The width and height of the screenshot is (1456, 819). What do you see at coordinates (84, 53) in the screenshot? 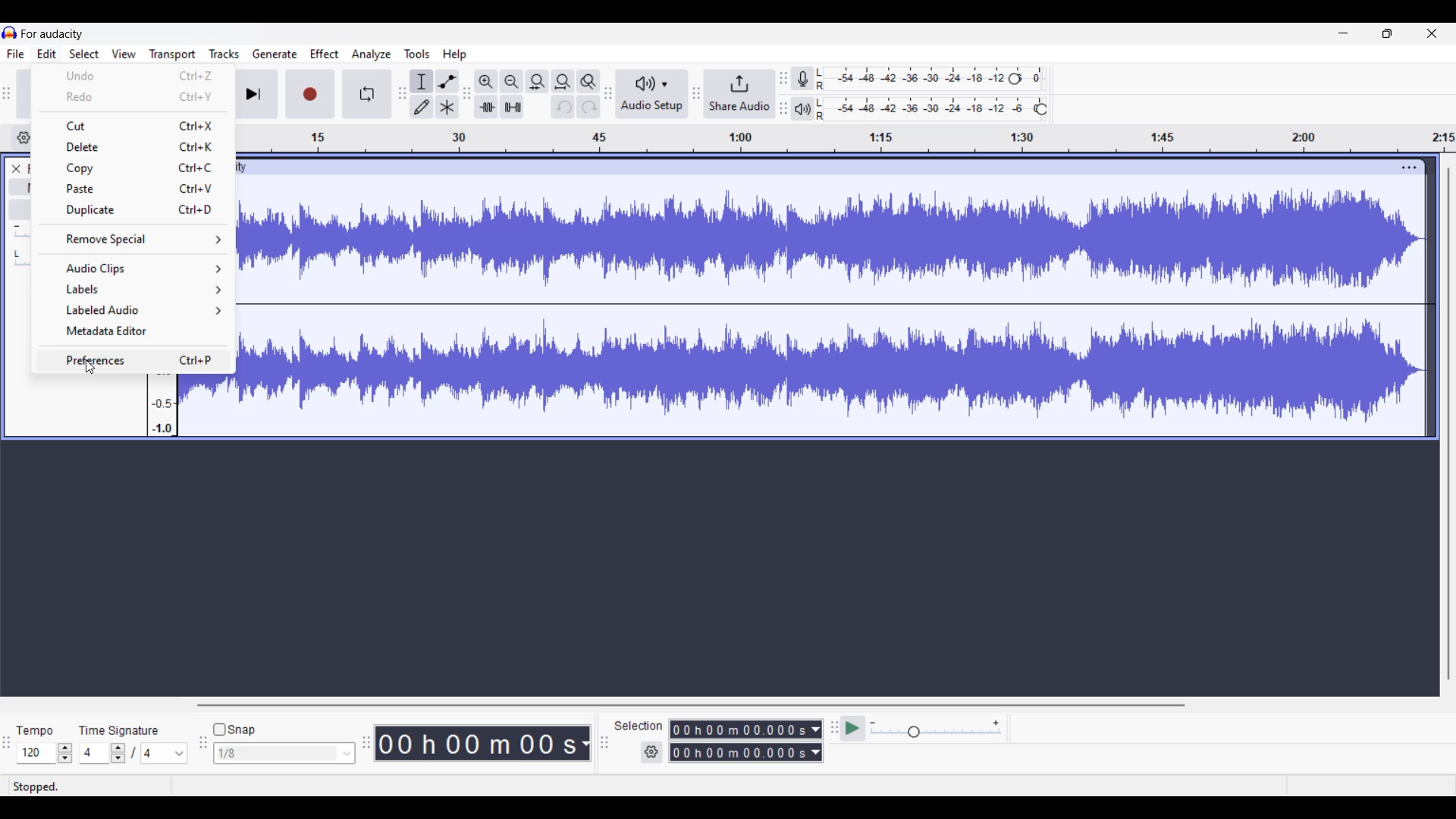
I see `Select menu` at bounding box center [84, 53].